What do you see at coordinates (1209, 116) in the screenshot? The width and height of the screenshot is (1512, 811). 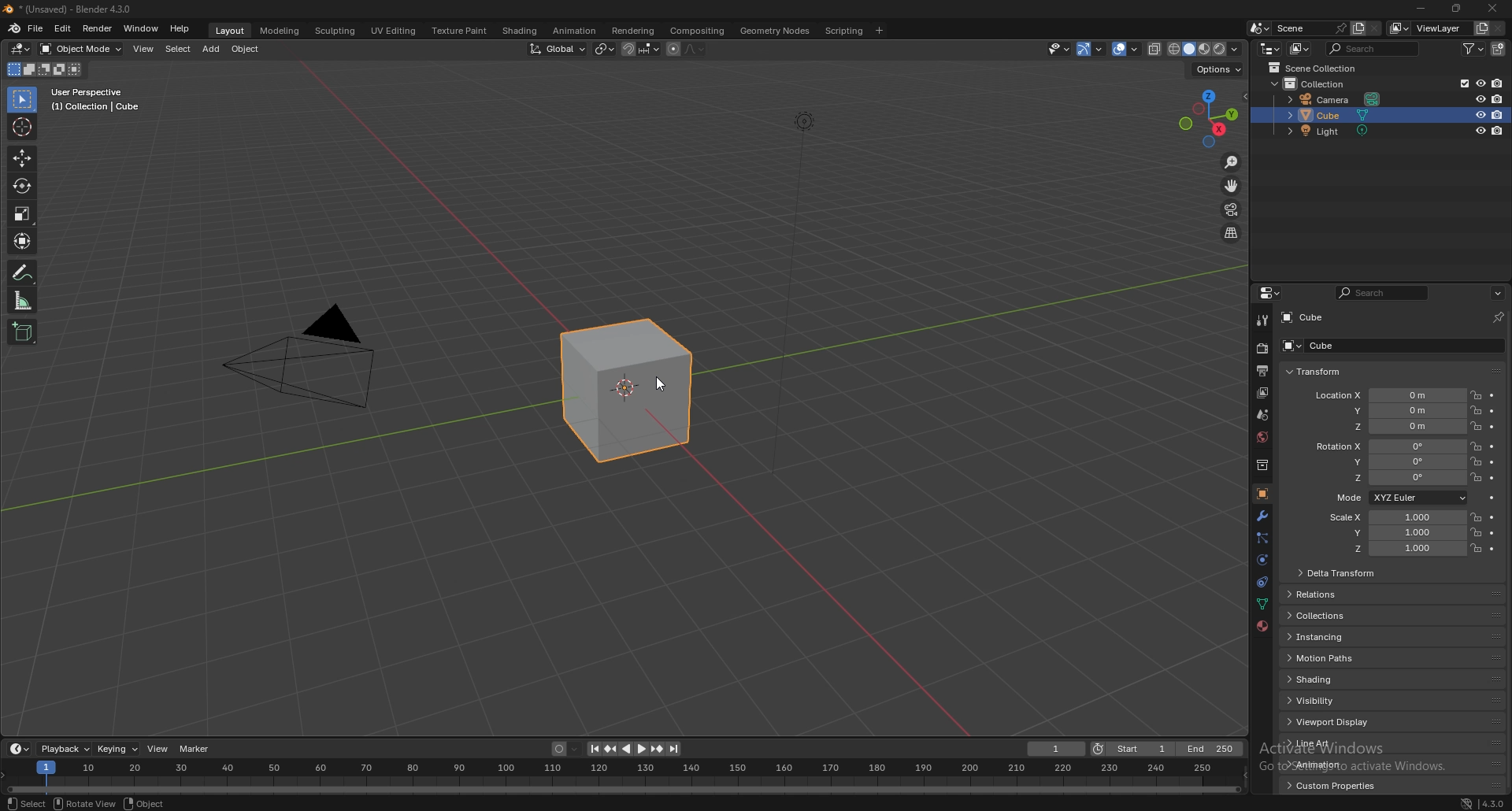 I see `use a preset viewport` at bounding box center [1209, 116].